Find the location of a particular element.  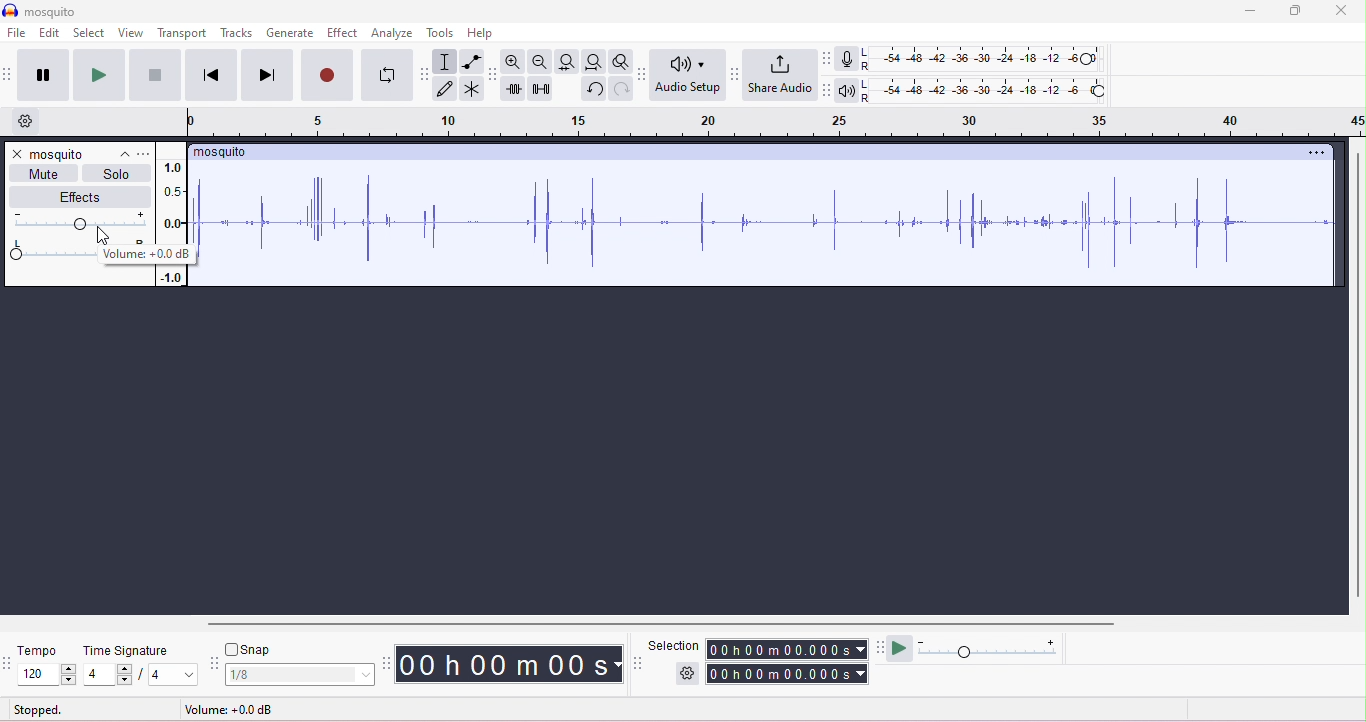

tempo is located at coordinates (38, 651).